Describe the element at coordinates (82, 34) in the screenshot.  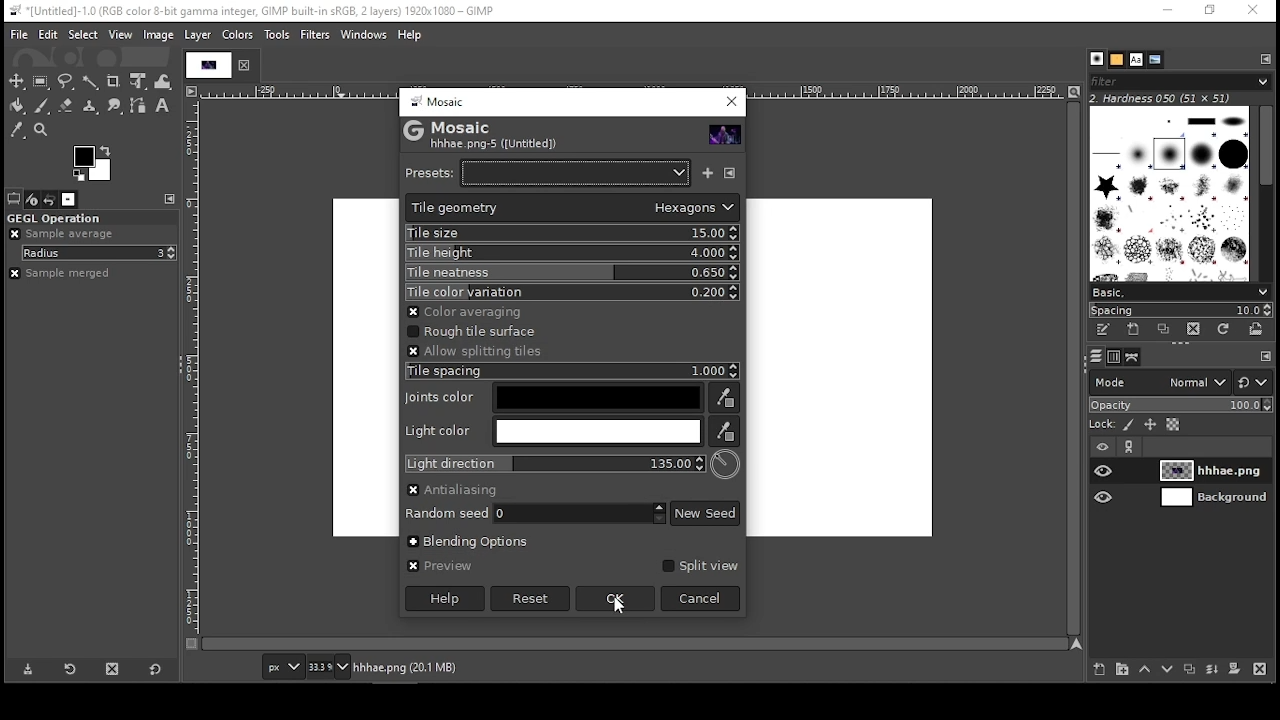
I see `select` at that location.